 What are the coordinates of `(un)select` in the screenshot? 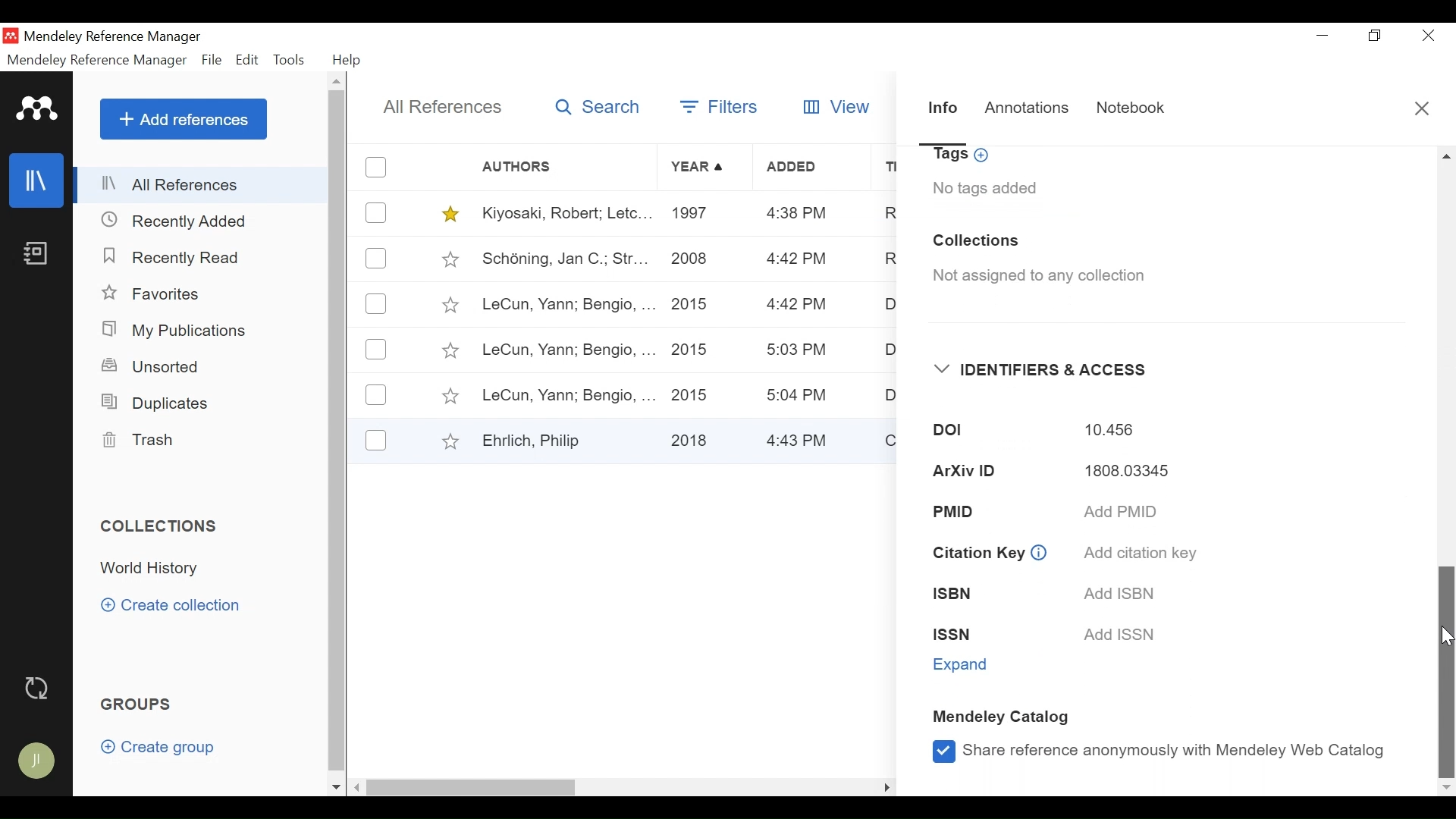 It's located at (376, 440).